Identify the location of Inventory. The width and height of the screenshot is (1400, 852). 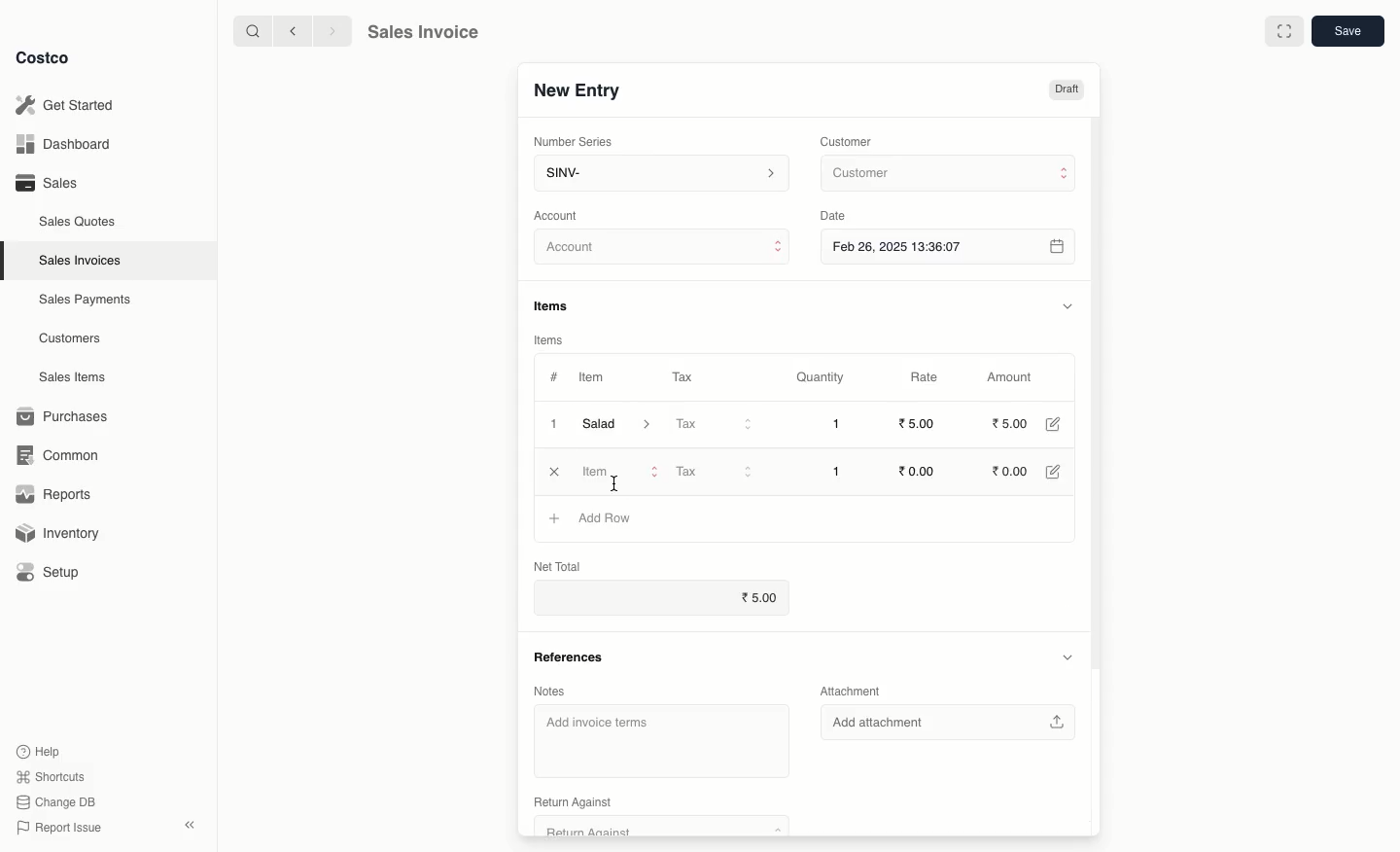
(61, 531).